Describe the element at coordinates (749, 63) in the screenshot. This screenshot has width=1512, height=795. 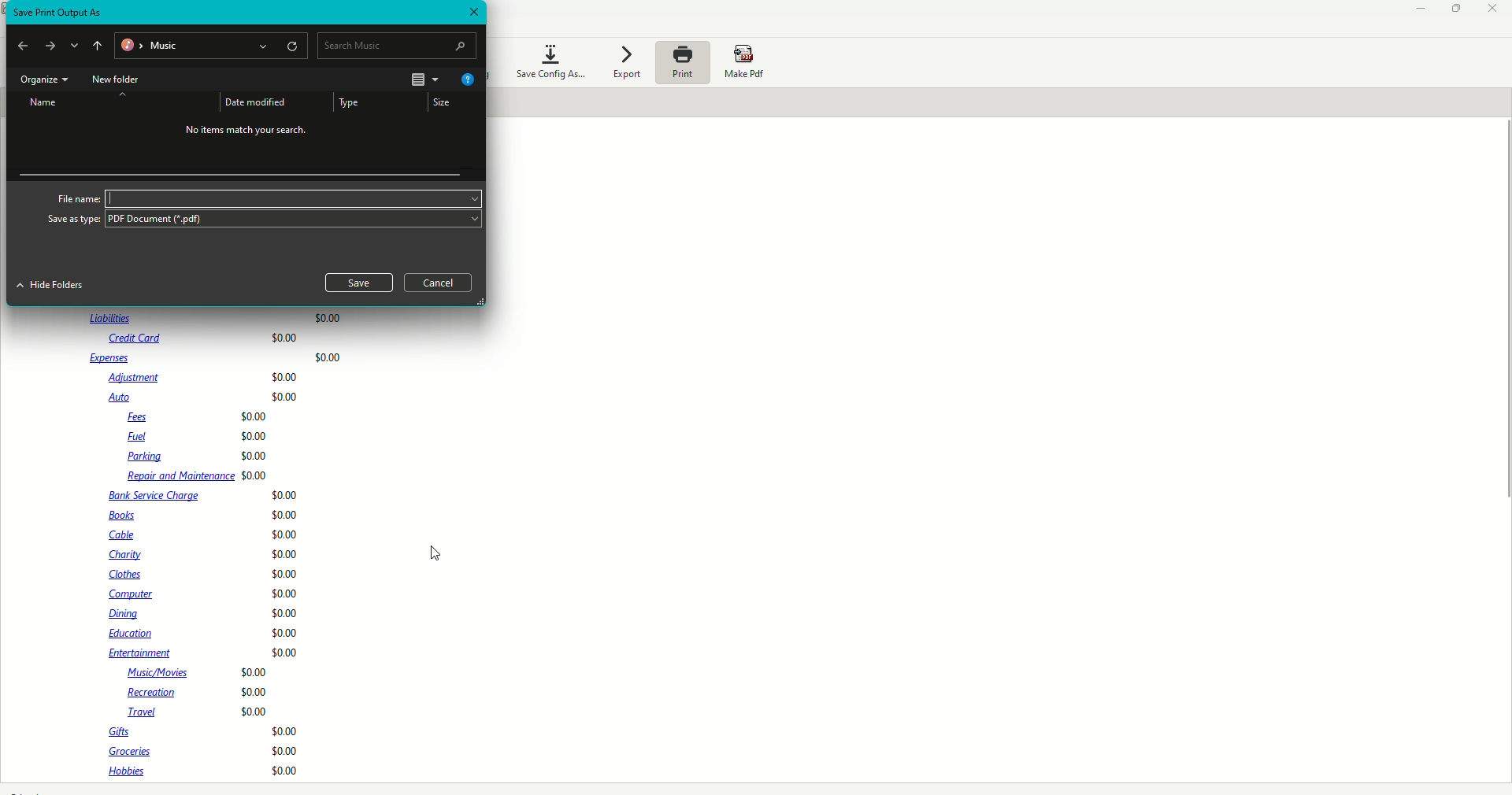
I see `Make PDF` at that location.